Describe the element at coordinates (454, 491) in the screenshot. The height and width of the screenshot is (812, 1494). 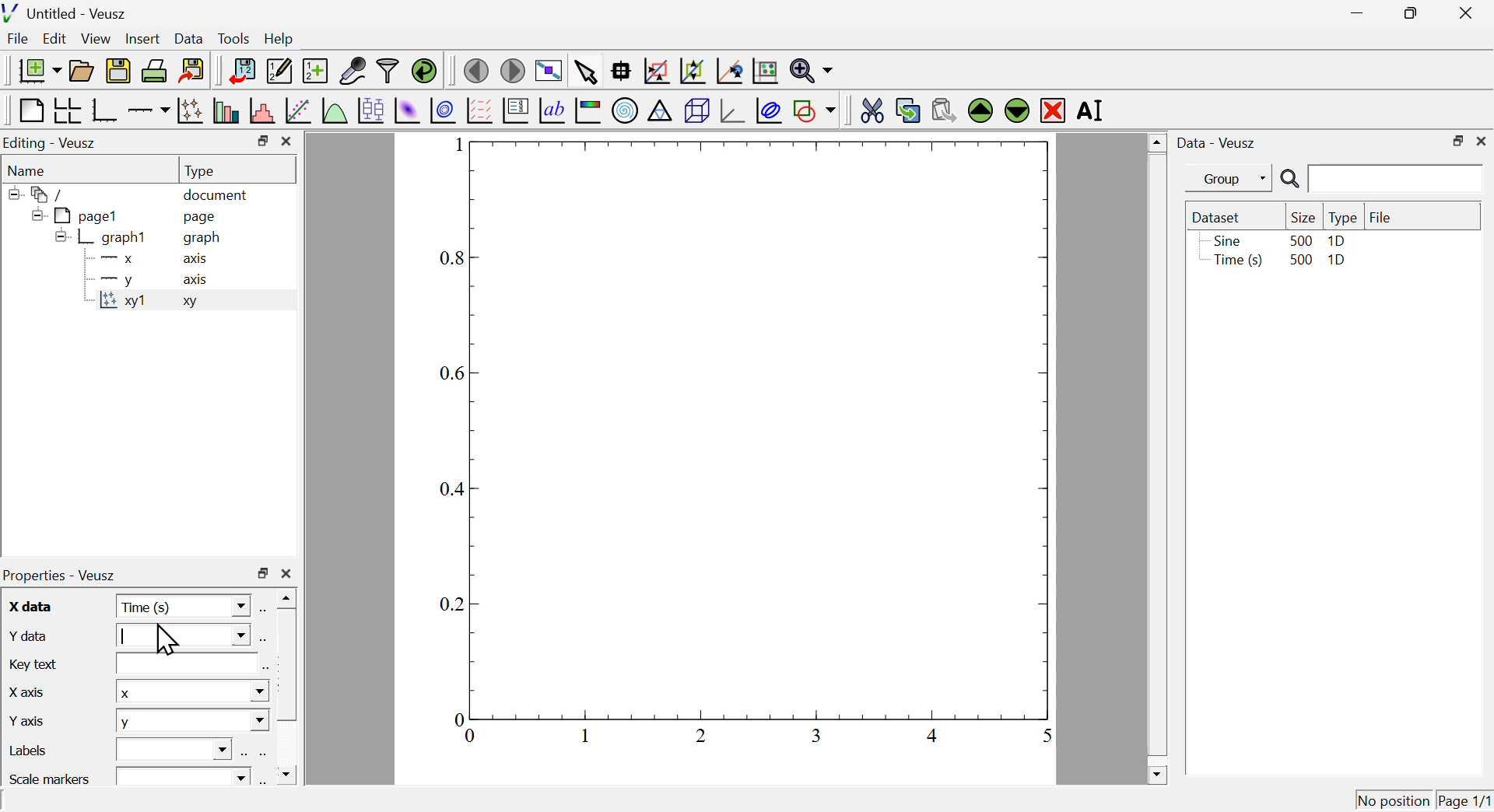
I see `0.4` at that location.